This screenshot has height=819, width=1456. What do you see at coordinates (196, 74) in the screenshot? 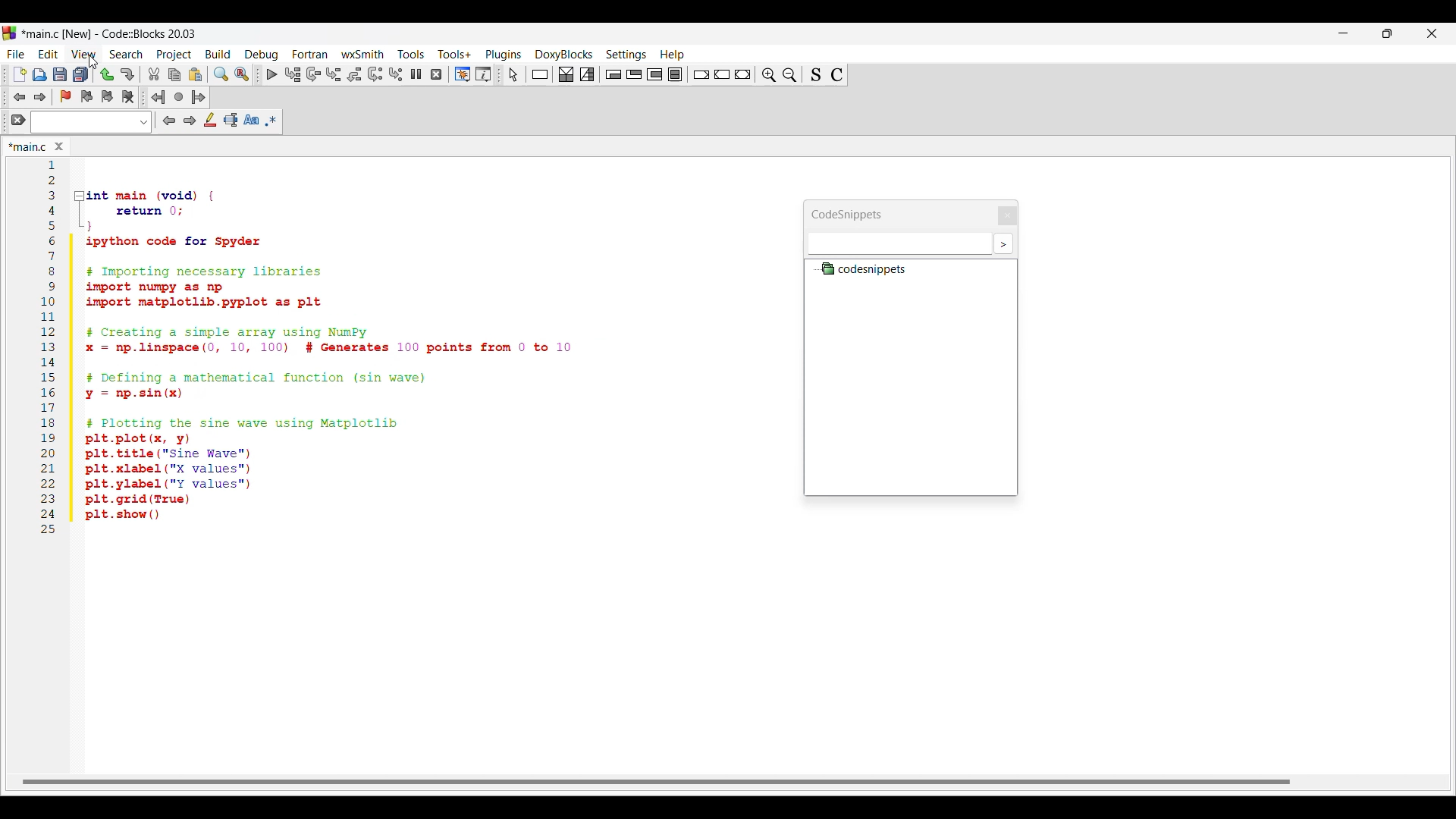
I see `Paste` at bounding box center [196, 74].